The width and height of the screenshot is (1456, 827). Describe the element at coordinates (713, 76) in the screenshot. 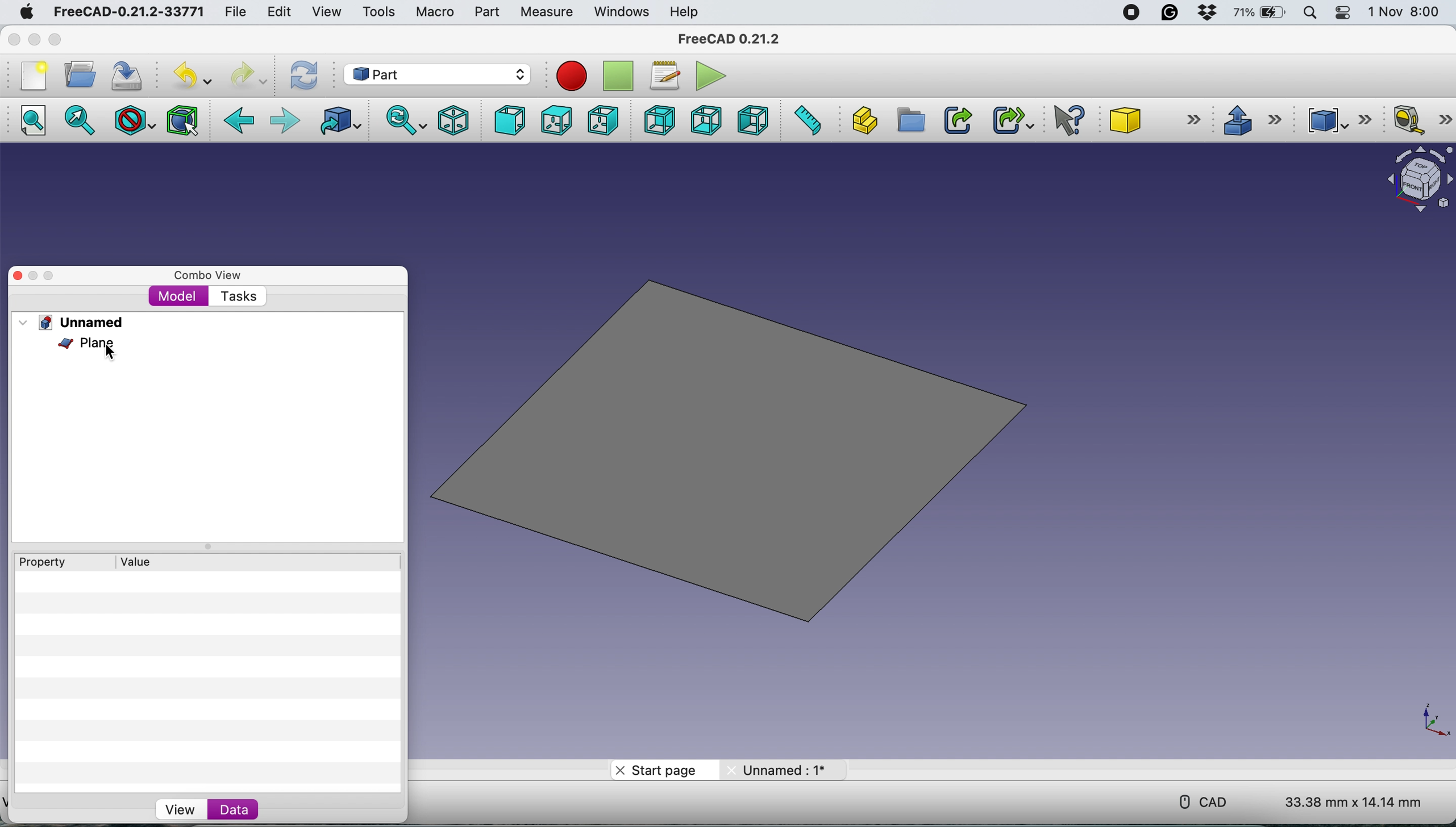

I see `execute macros` at that location.